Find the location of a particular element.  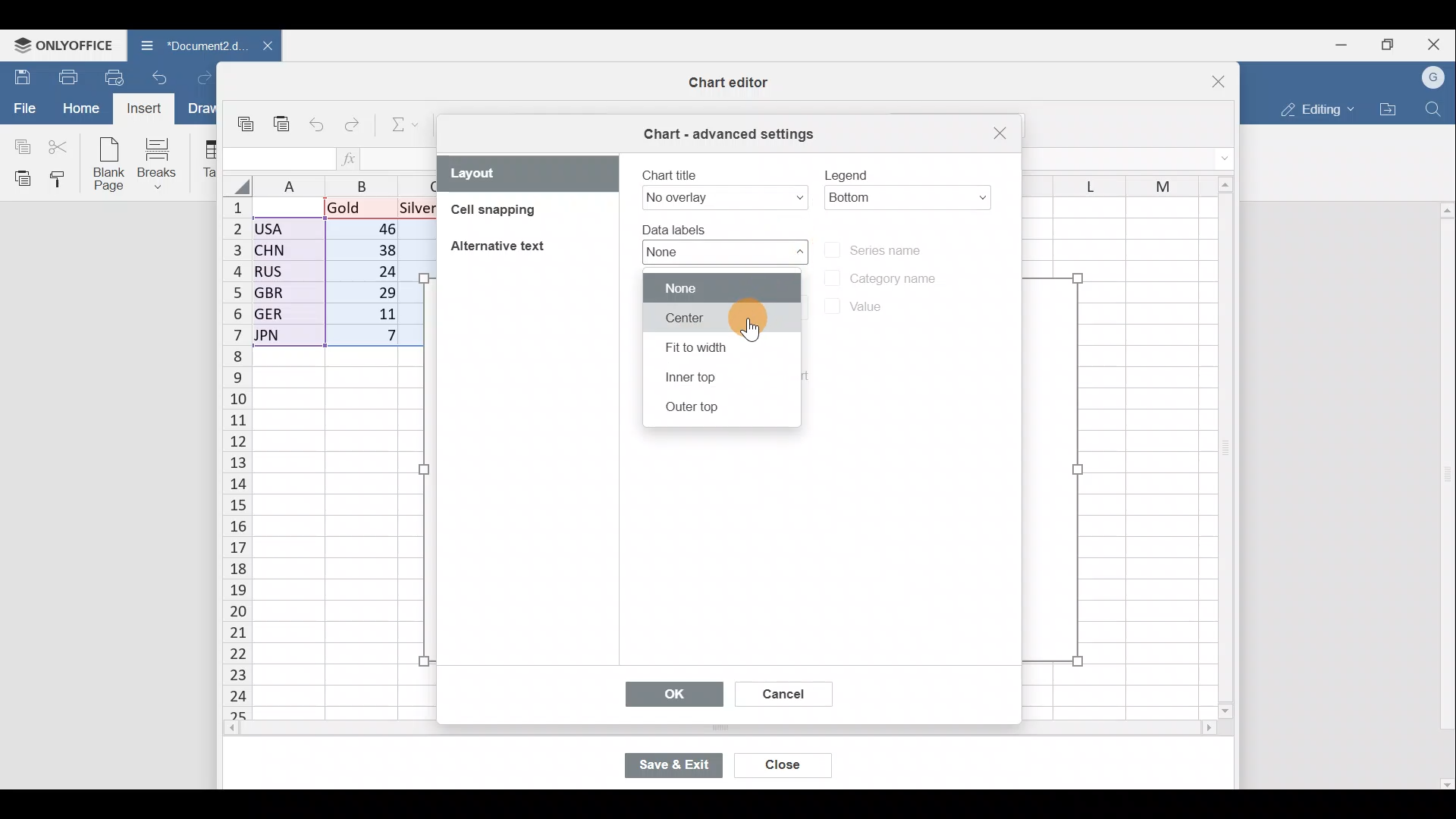

Columns is located at coordinates (347, 184).